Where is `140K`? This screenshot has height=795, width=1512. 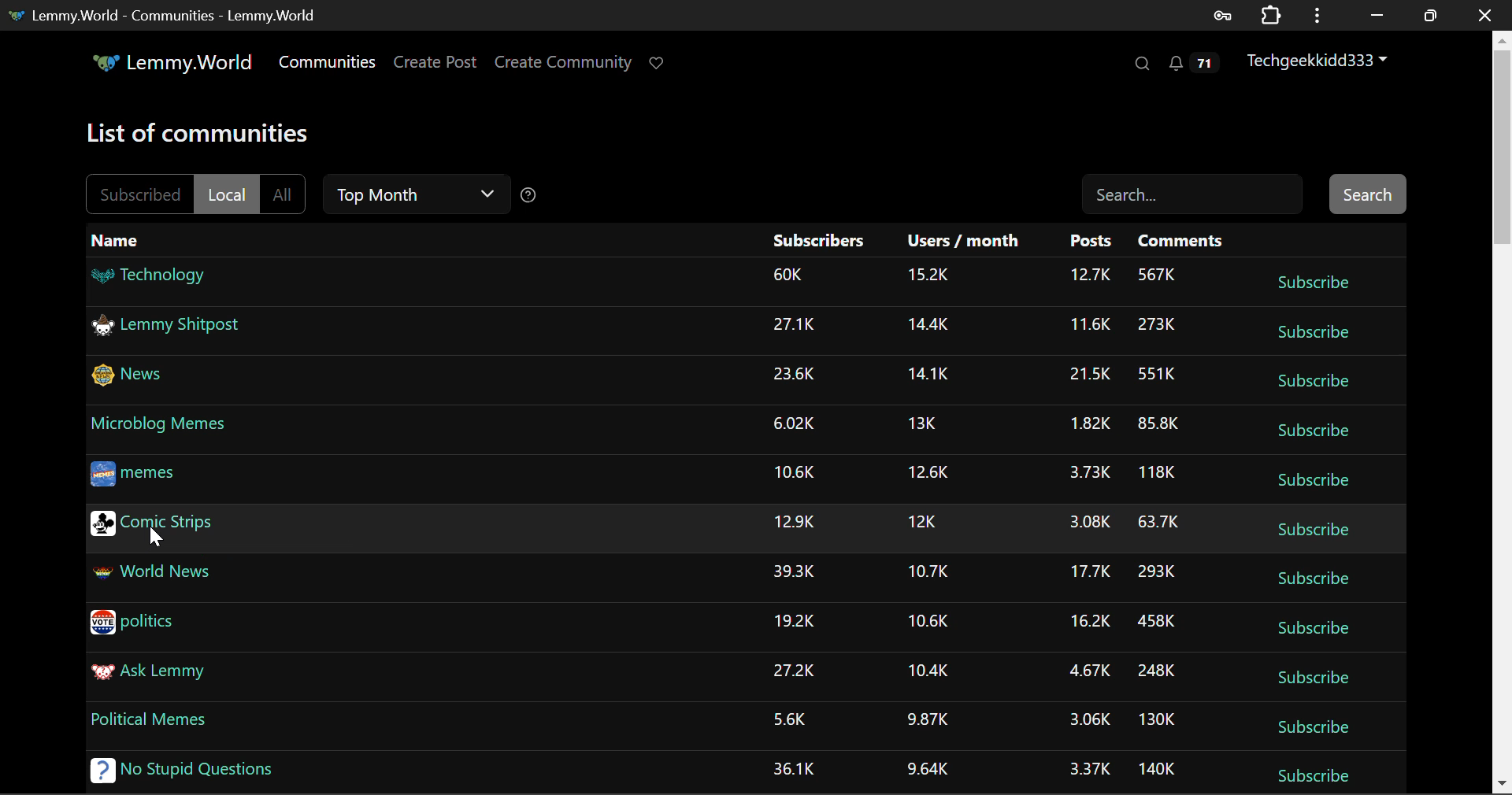 140K is located at coordinates (1156, 770).